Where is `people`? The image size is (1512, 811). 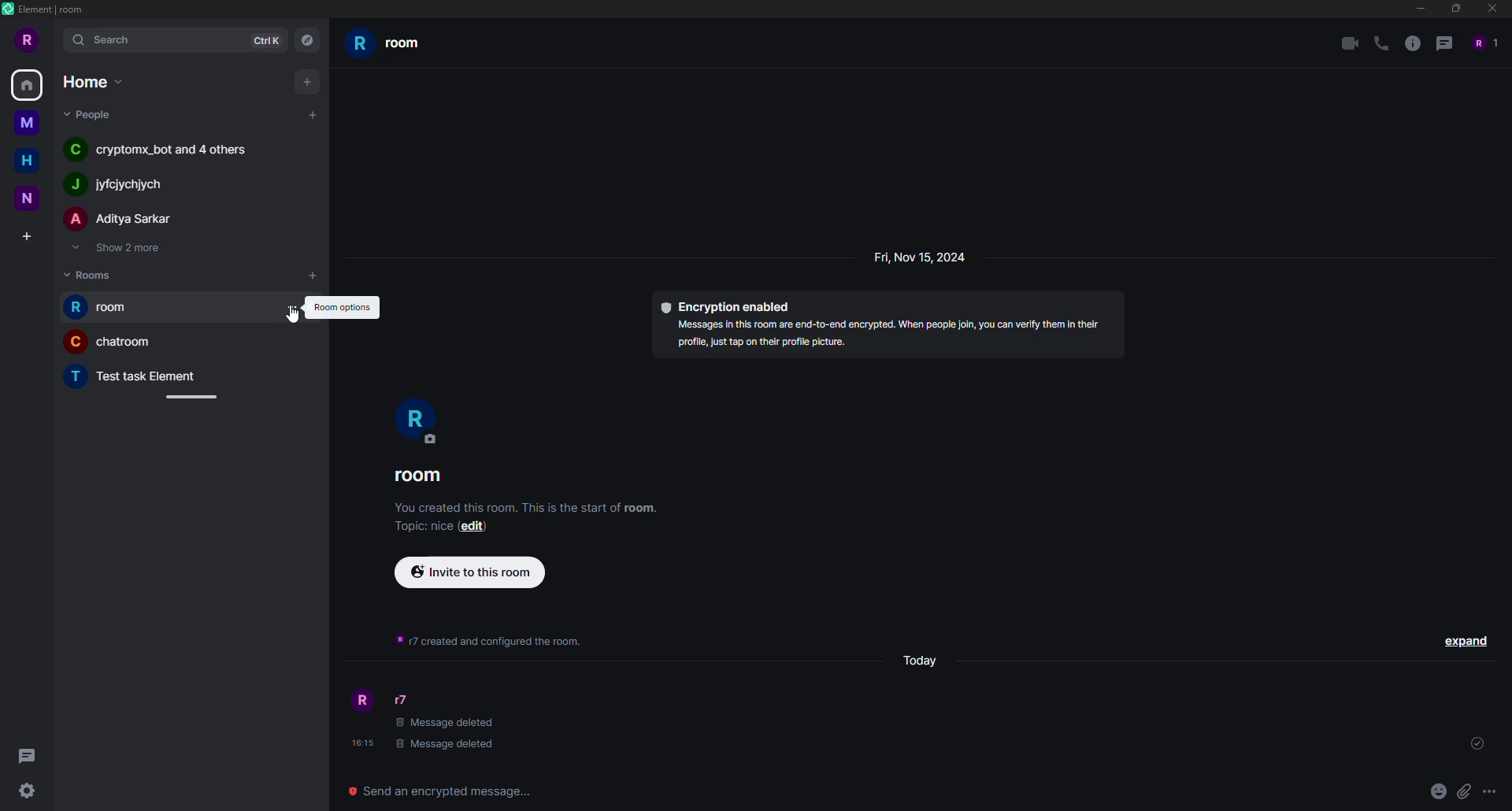 people is located at coordinates (1484, 43).